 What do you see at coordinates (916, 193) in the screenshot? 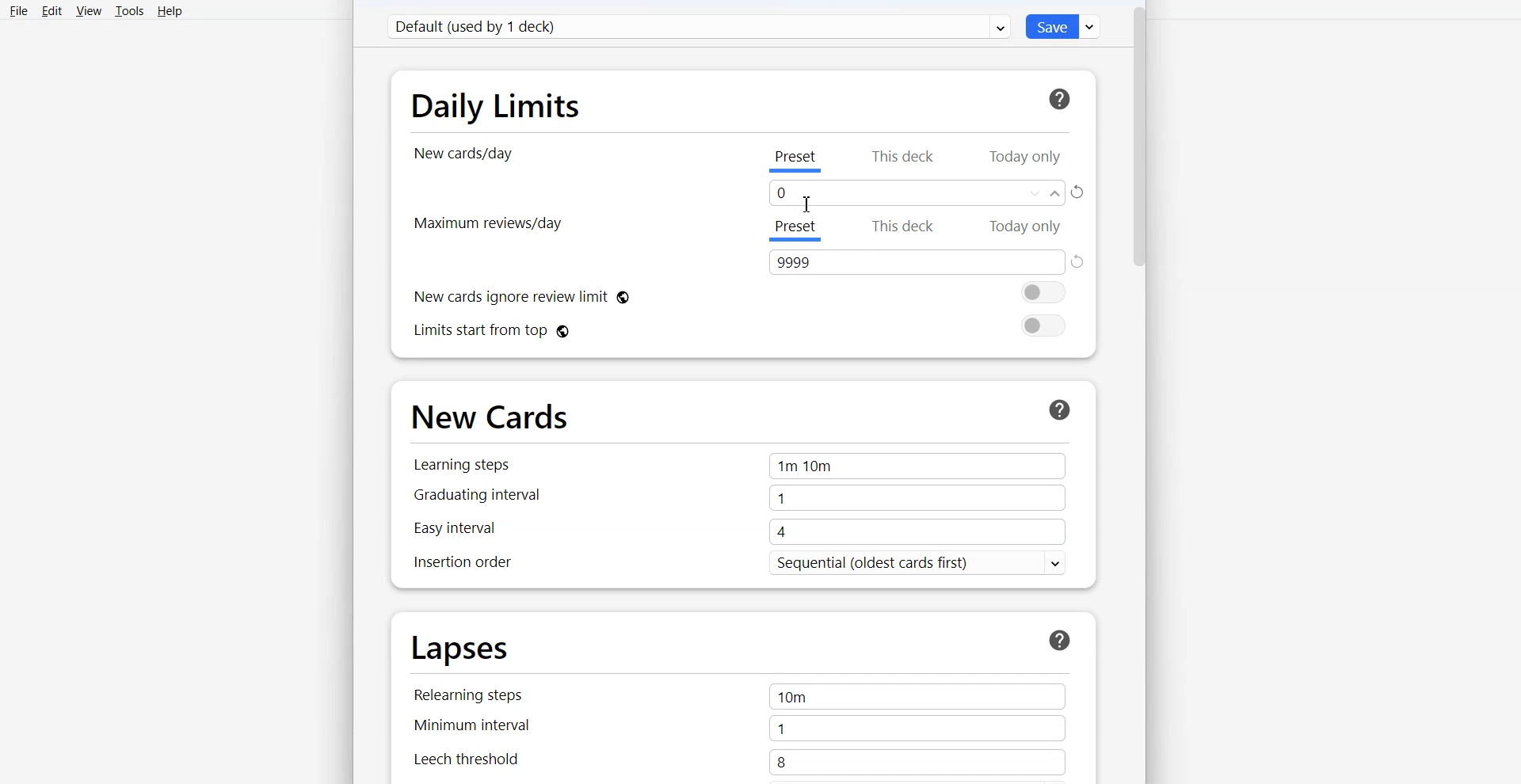
I see `Text` at bounding box center [916, 193].